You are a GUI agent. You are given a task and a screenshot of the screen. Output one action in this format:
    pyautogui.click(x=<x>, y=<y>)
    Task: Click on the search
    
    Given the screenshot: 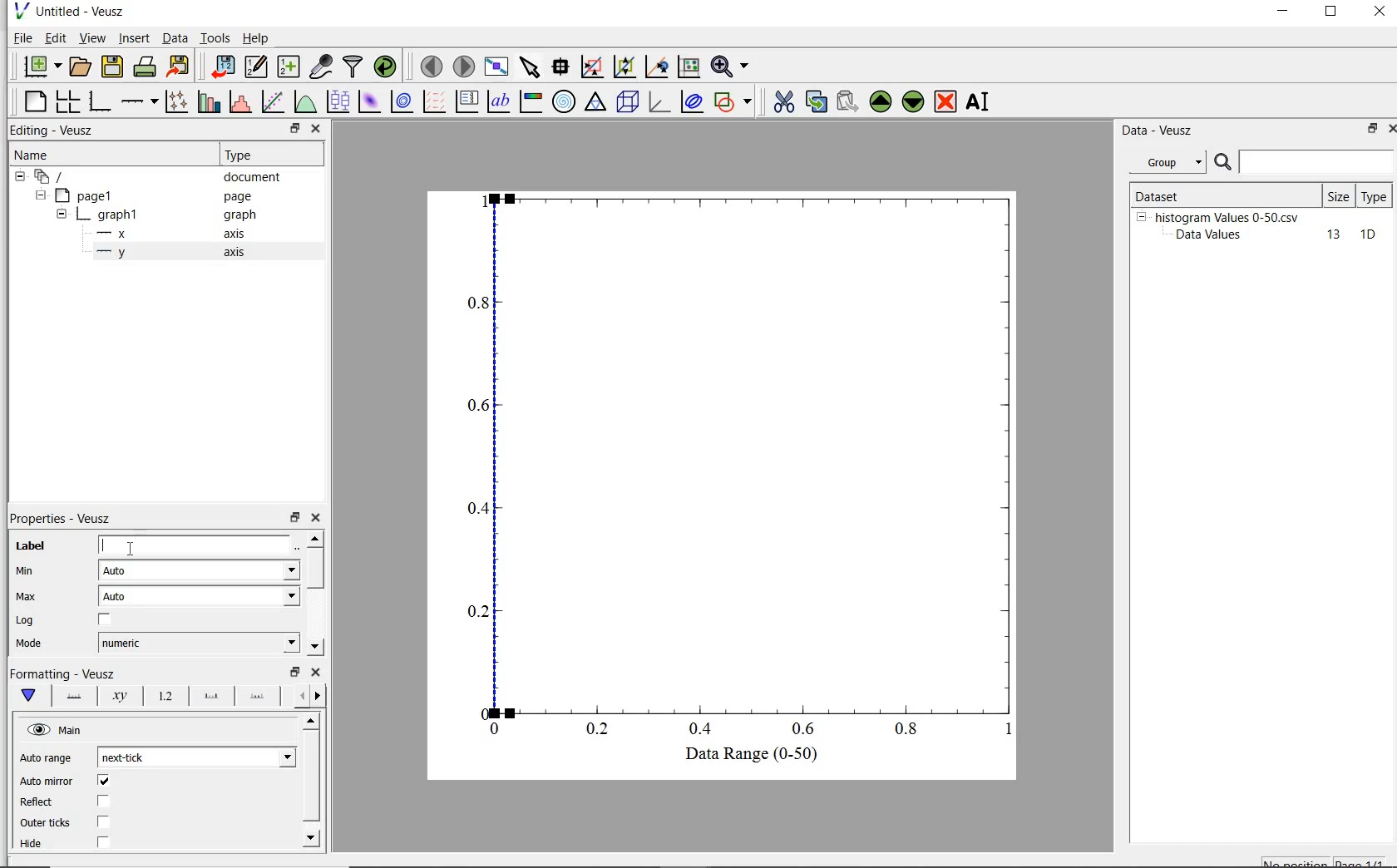 What is the action you would take?
    pyautogui.click(x=1224, y=163)
    